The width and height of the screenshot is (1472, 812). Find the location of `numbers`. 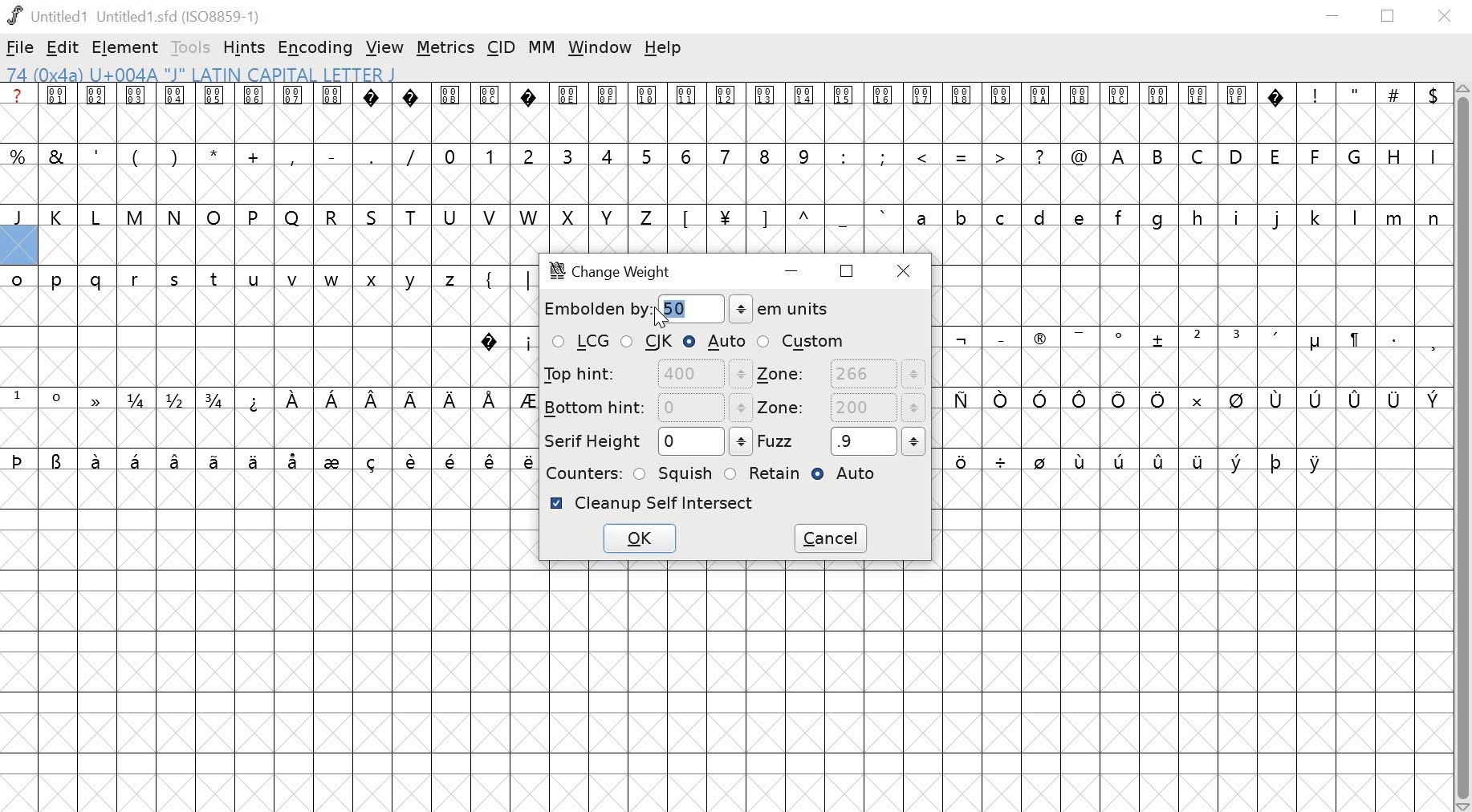

numbers is located at coordinates (626, 155).